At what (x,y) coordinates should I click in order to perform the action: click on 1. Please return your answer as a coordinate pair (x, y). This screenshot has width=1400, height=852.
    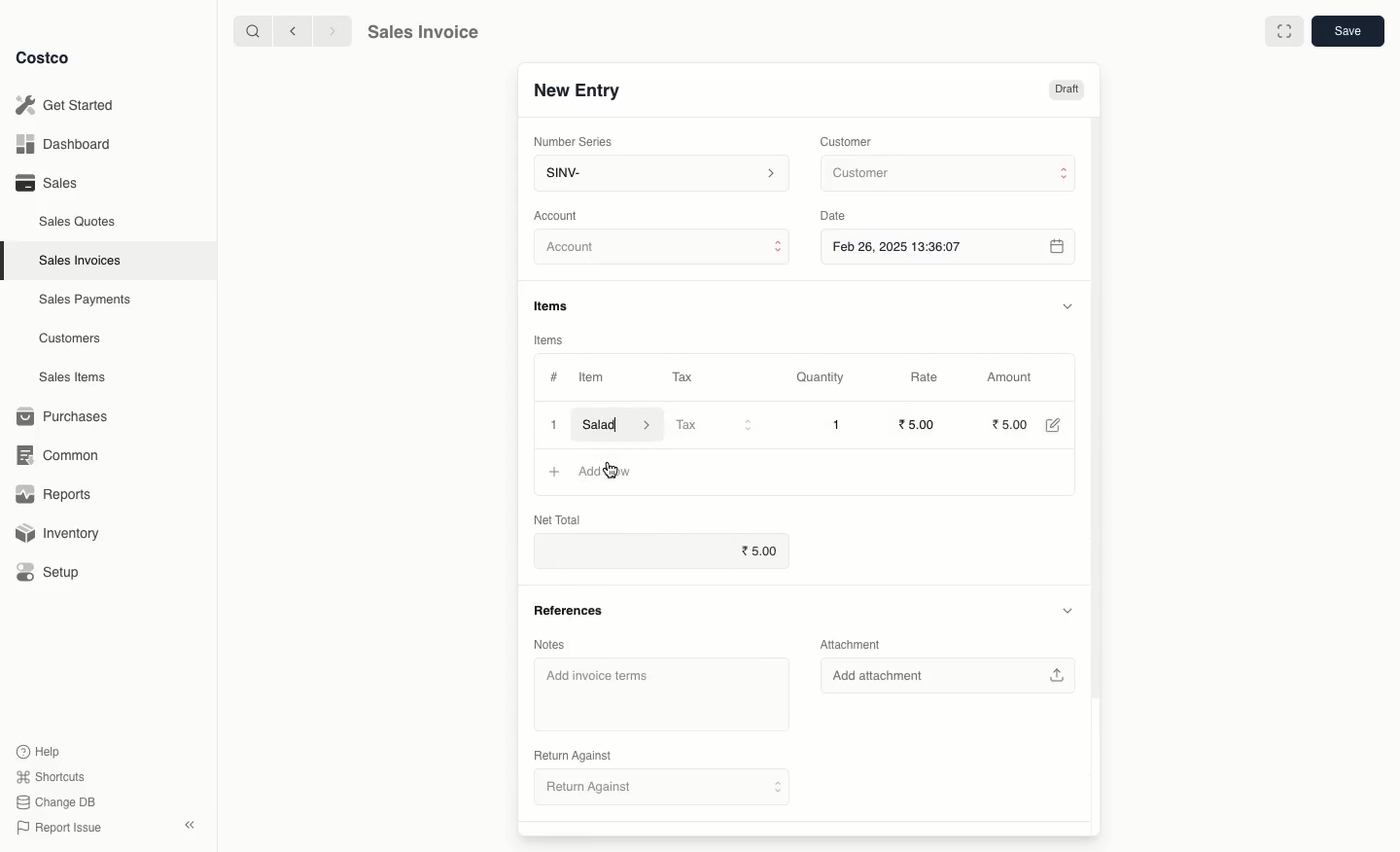
    Looking at the image, I should click on (552, 423).